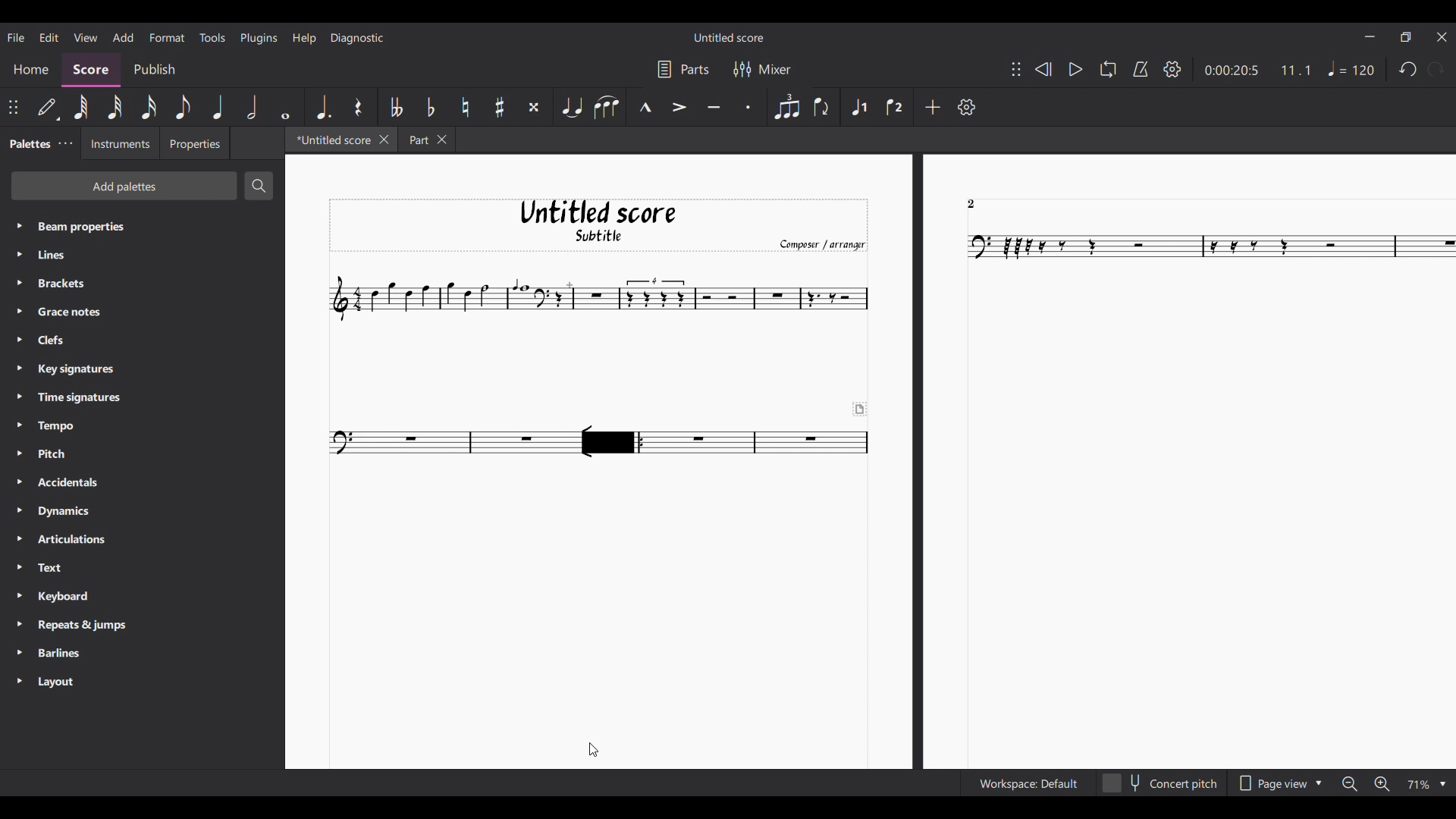 The image size is (1456, 819). What do you see at coordinates (212, 37) in the screenshot?
I see `Tools menu` at bounding box center [212, 37].